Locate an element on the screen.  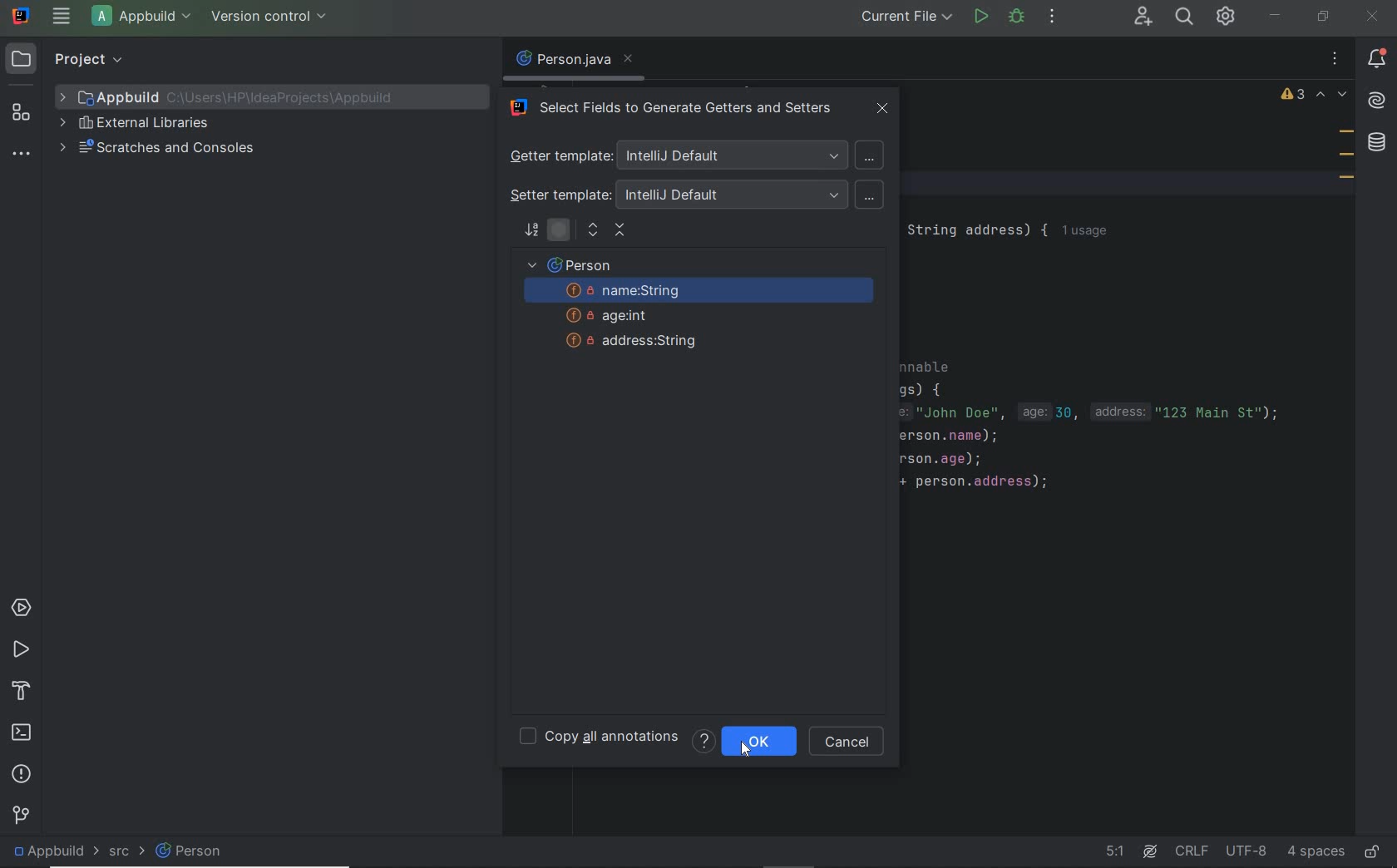
cursor is located at coordinates (744, 744).